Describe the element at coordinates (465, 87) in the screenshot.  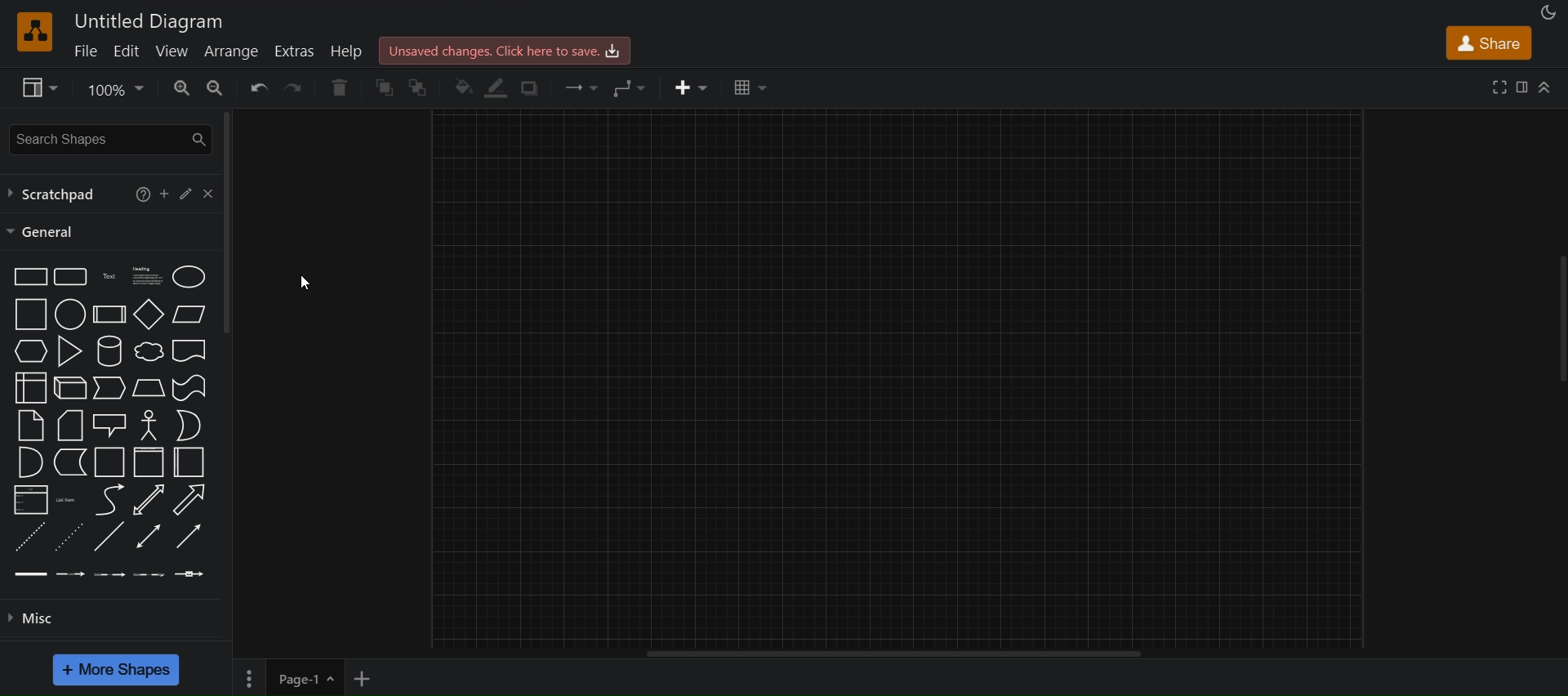
I see `fill color` at that location.